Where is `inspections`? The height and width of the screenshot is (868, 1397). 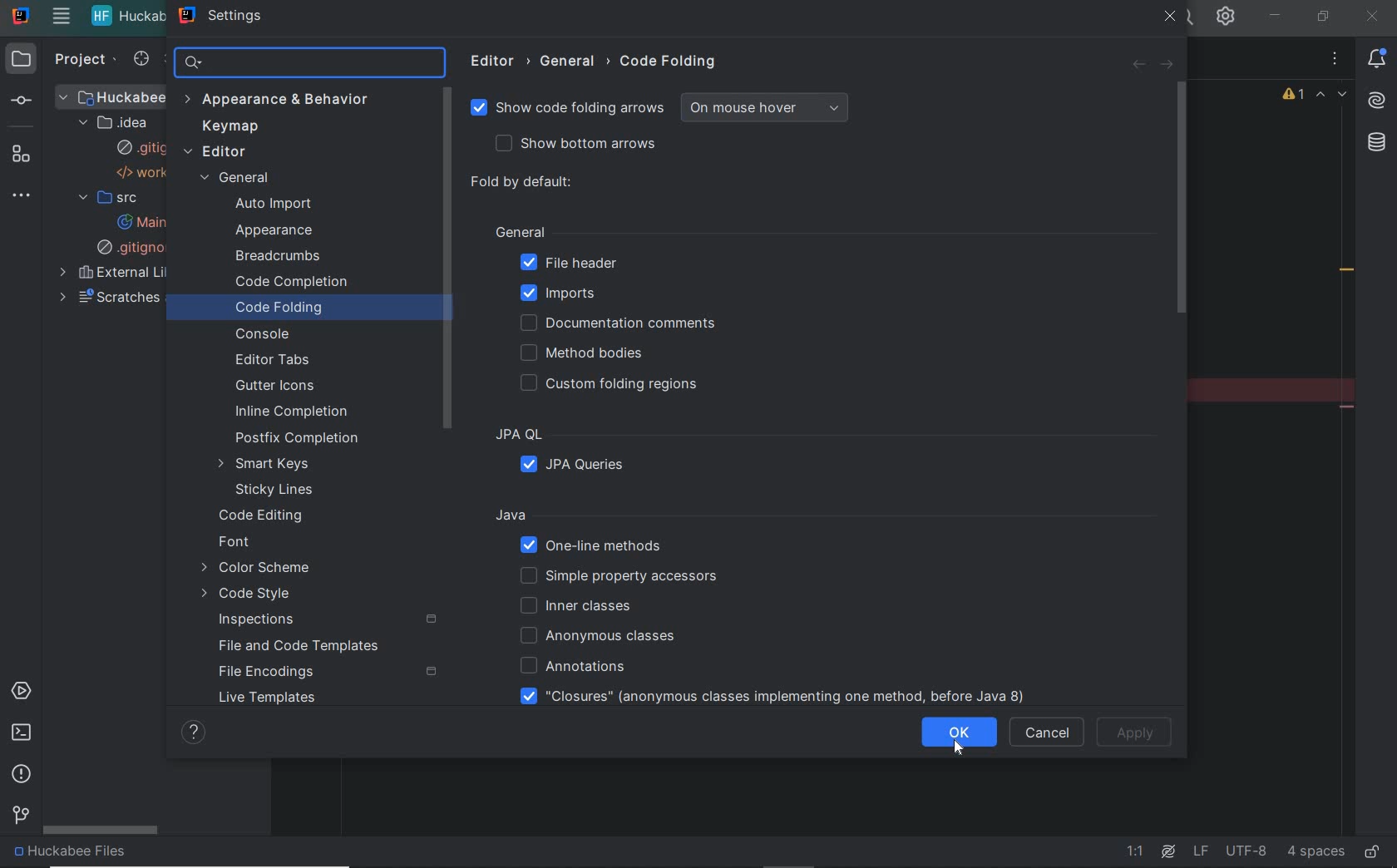 inspections is located at coordinates (255, 620).